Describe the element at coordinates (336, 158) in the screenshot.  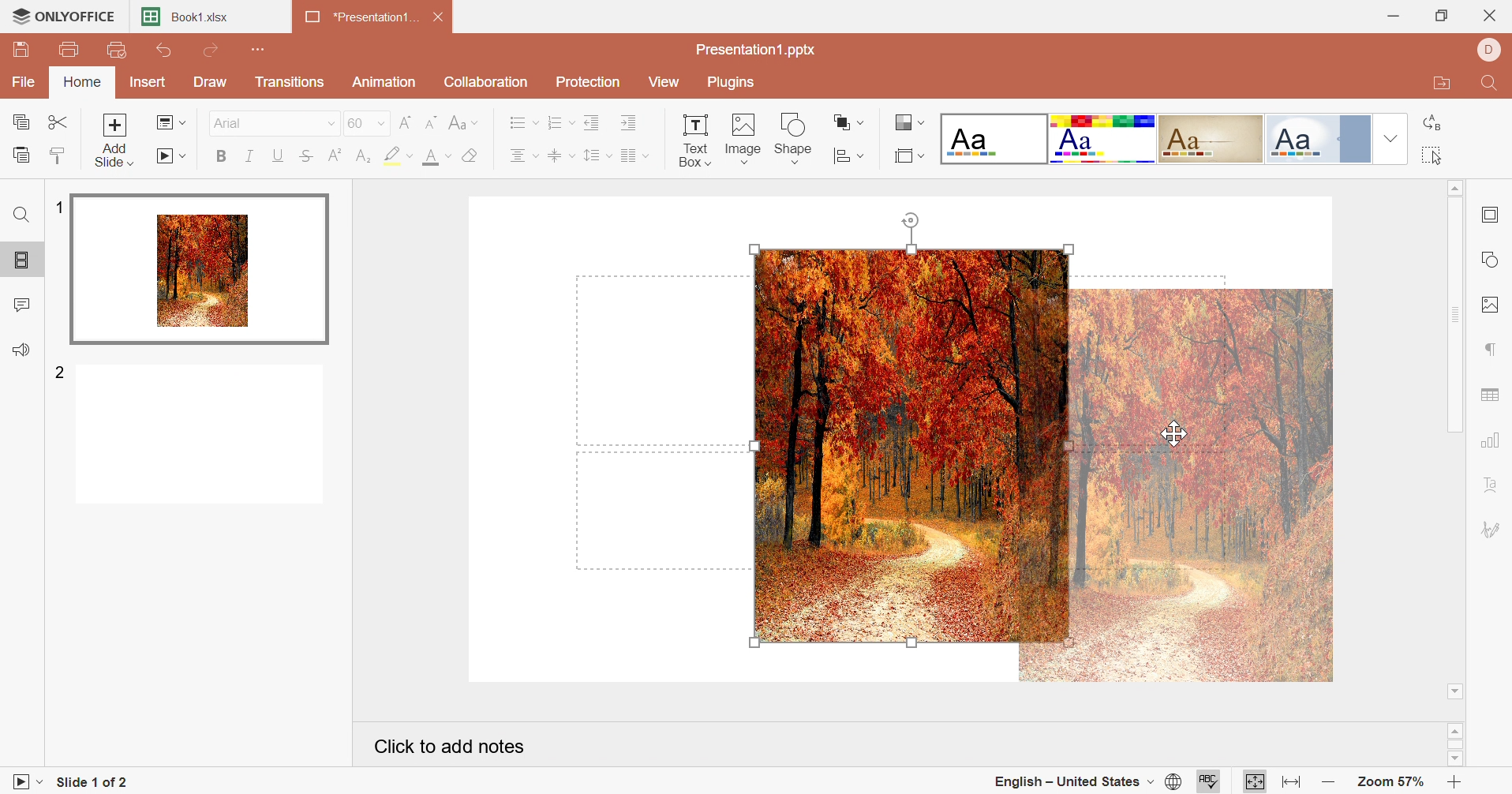
I see `Superscript` at that location.